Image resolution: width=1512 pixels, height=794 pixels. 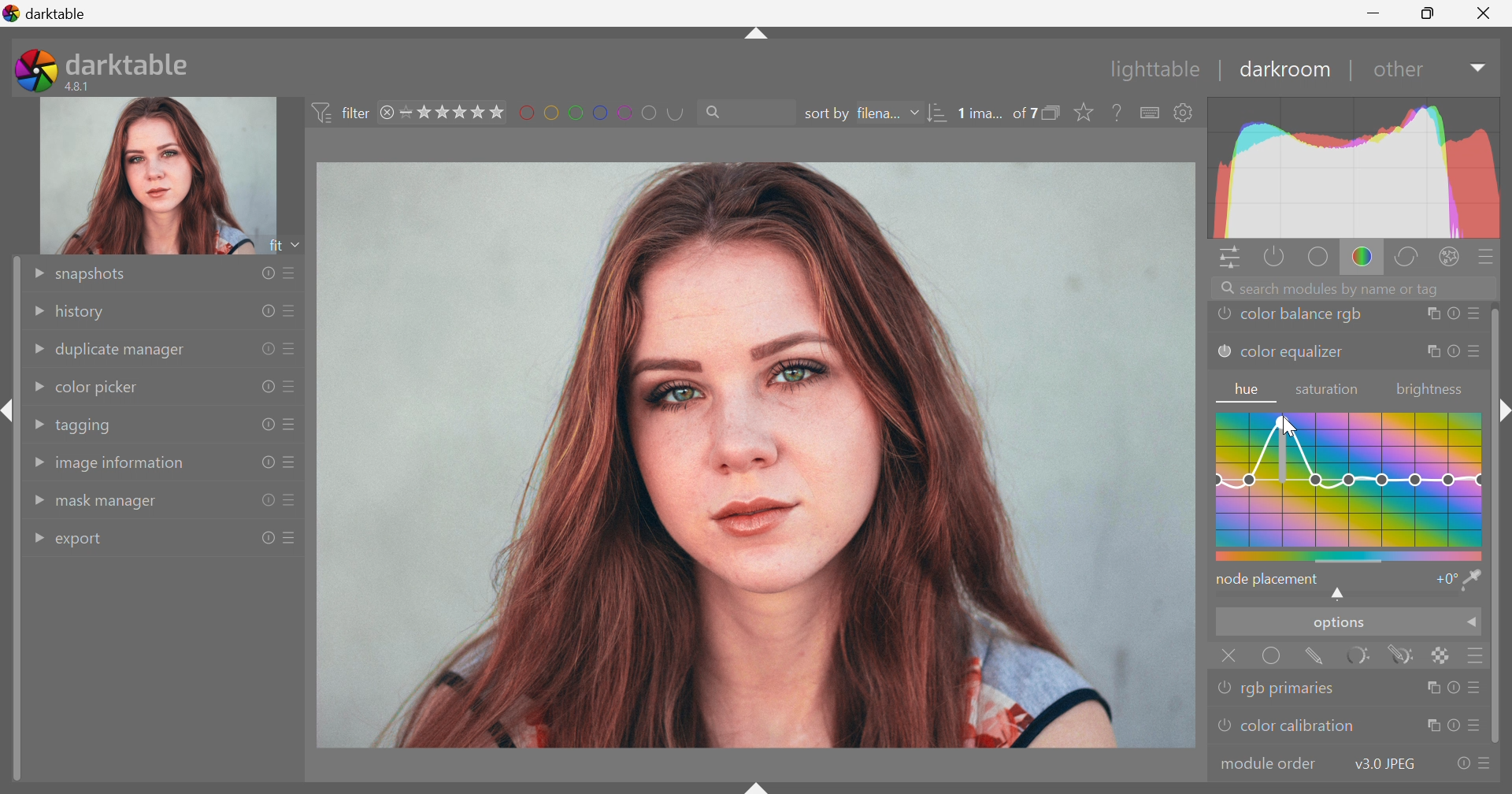 I want to click on shift+ctrl+b, so click(x=758, y=785).